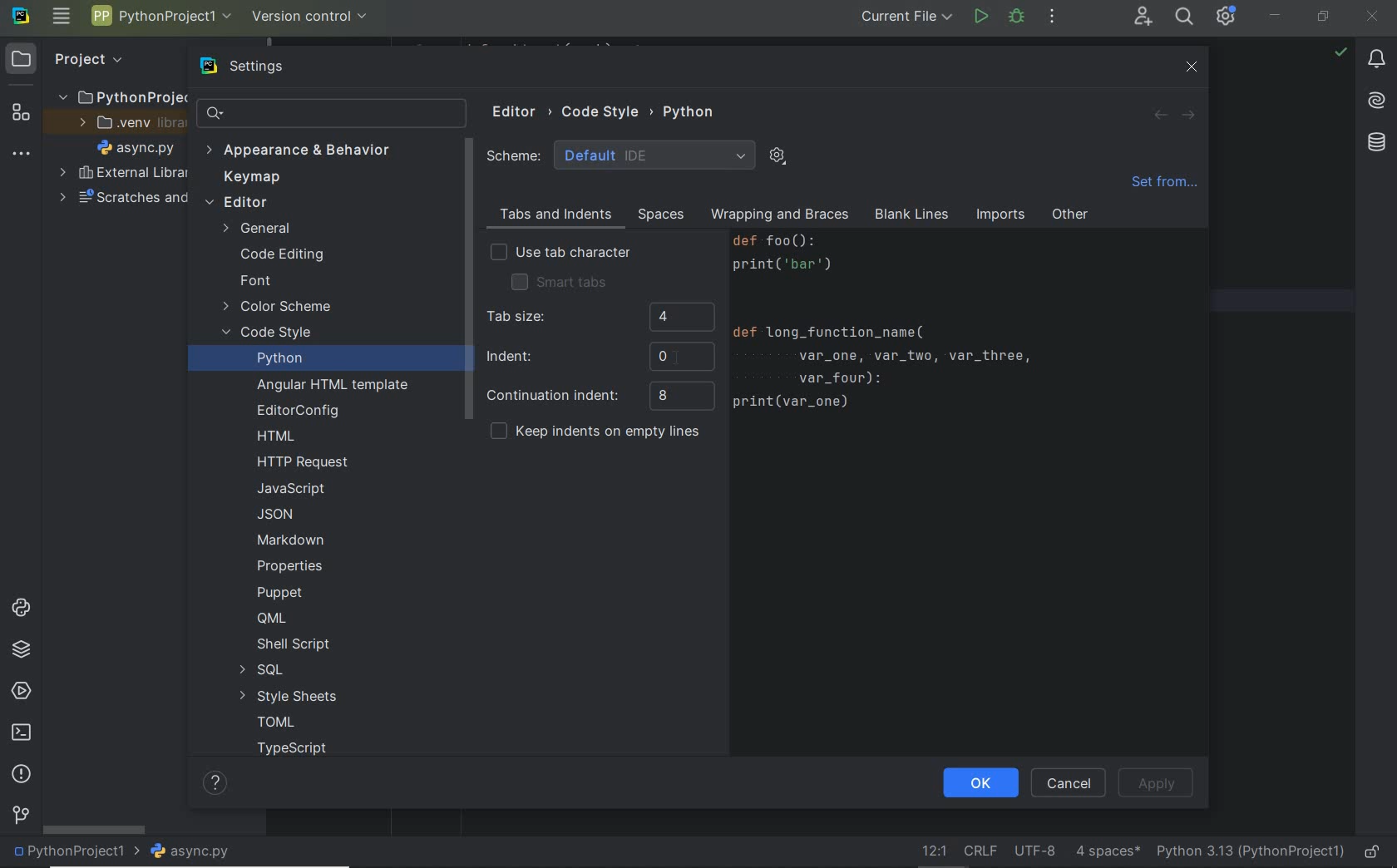 The image size is (1397, 868). I want to click on make file ready only, so click(1375, 853).